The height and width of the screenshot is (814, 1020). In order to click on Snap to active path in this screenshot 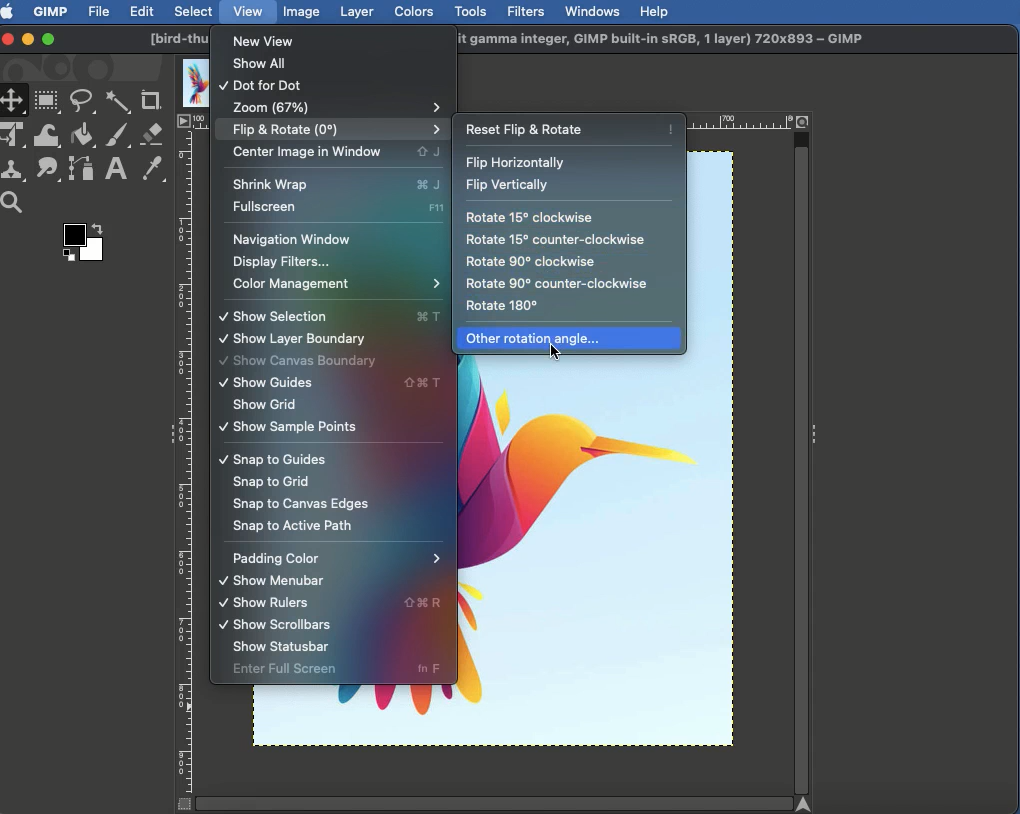, I will do `click(293, 525)`.